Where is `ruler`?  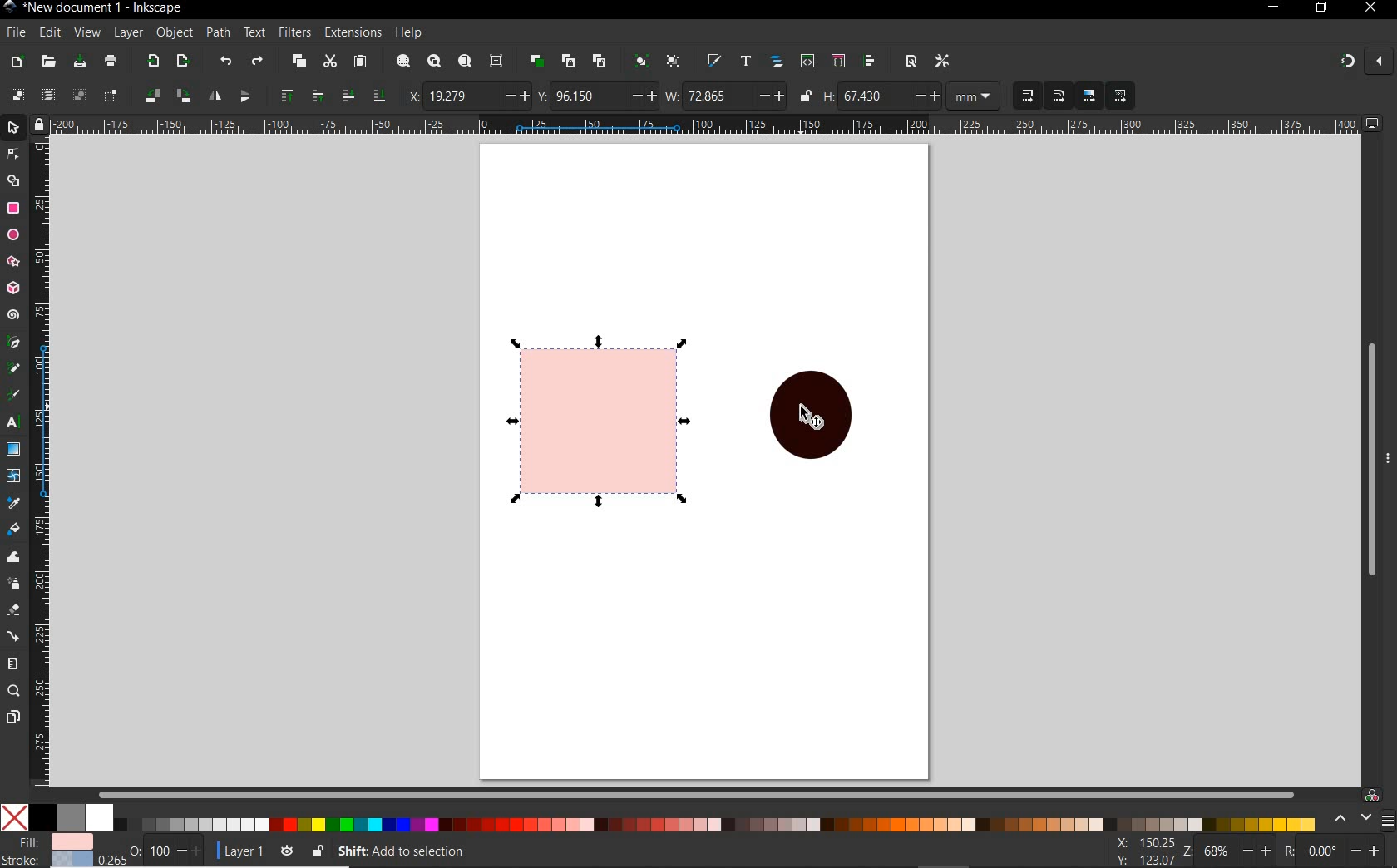
ruler is located at coordinates (41, 461).